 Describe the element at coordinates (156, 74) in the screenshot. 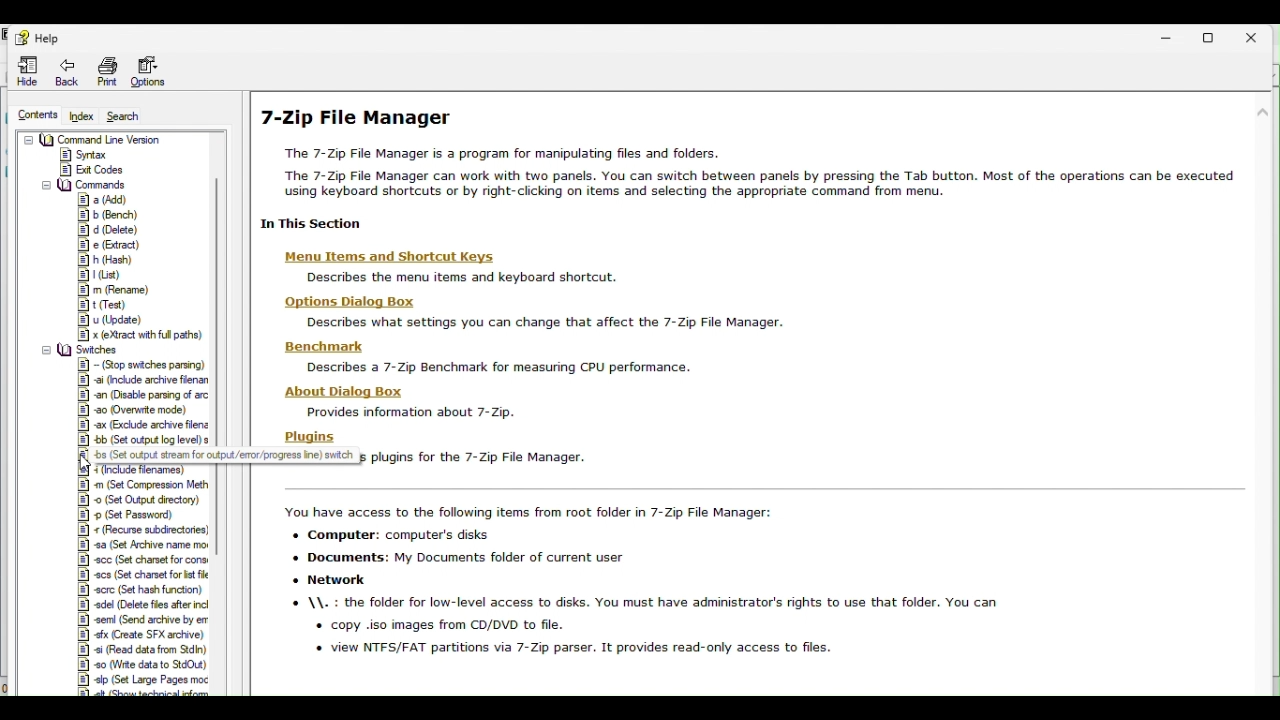

I see `Options` at that location.